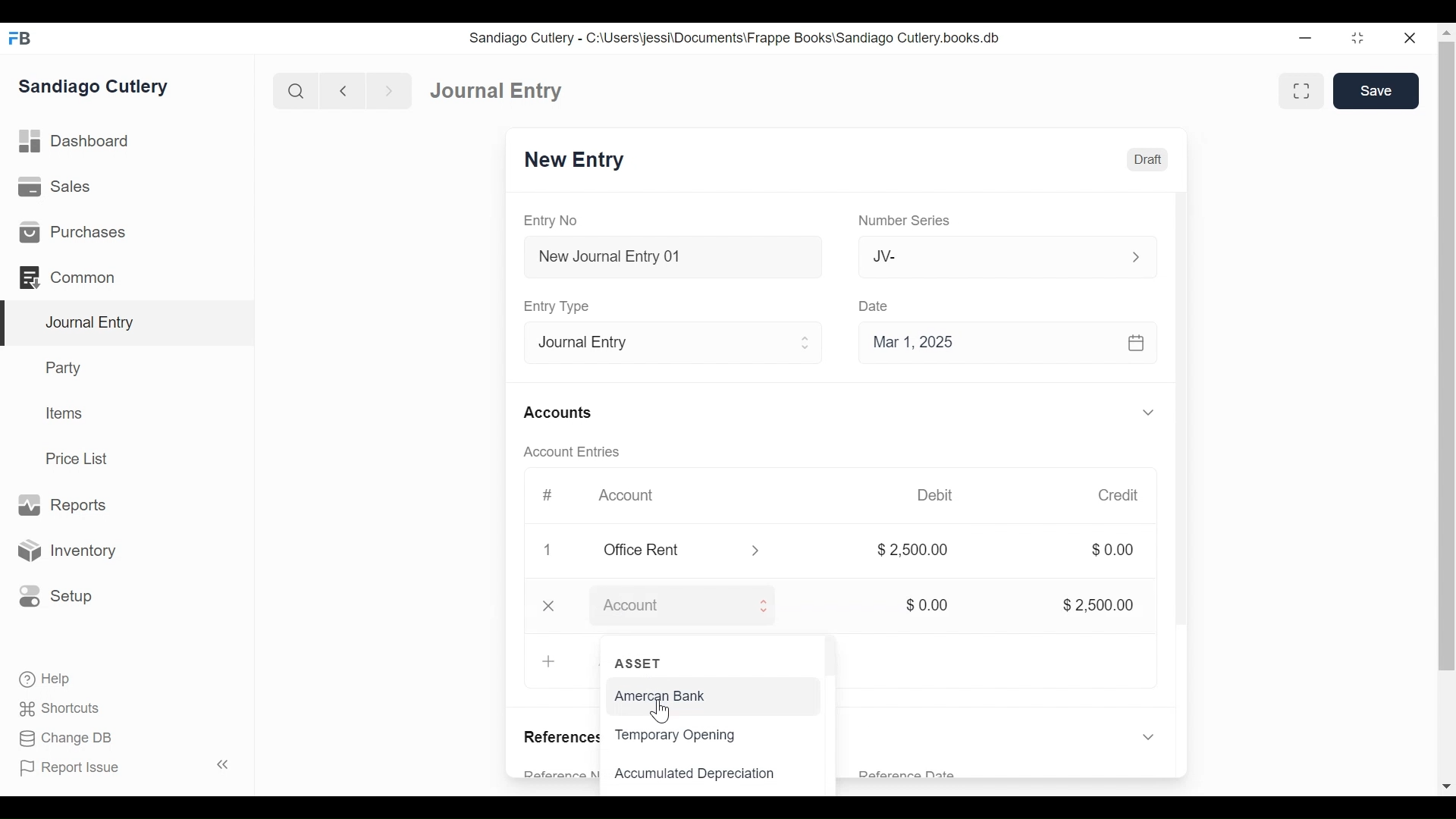  What do you see at coordinates (566, 413) in the screenshot?
I see `Accounts` at bounding box center [566, 413].